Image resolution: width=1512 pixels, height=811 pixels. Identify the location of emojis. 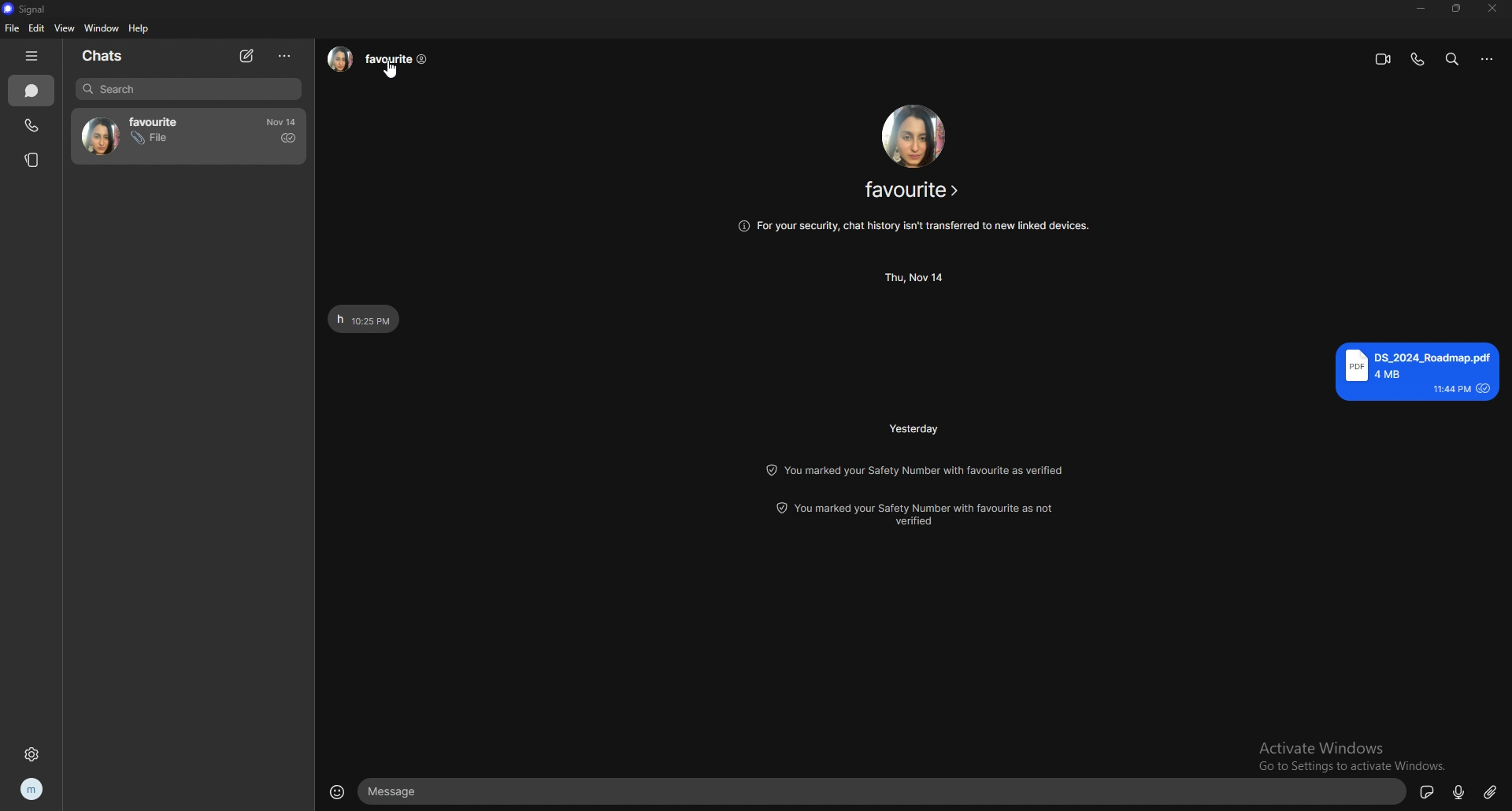
(340, 791).